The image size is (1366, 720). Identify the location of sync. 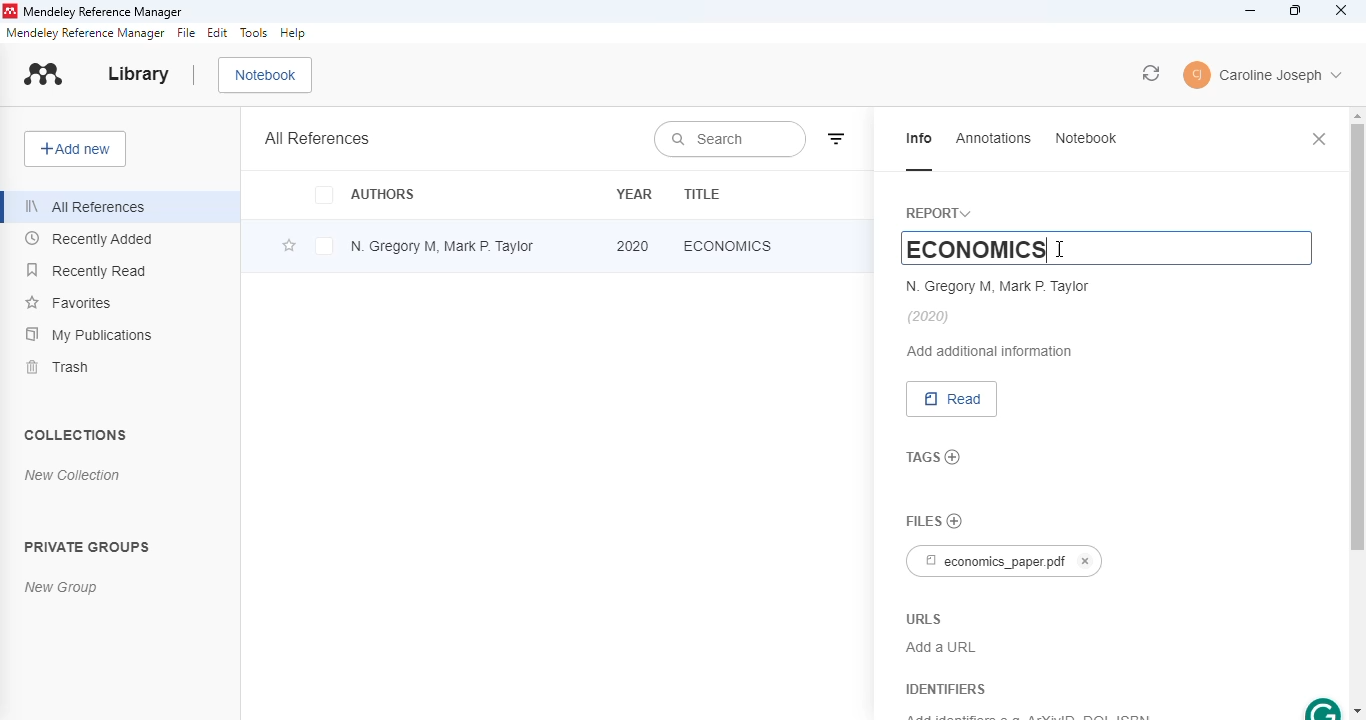
(1151, 74).